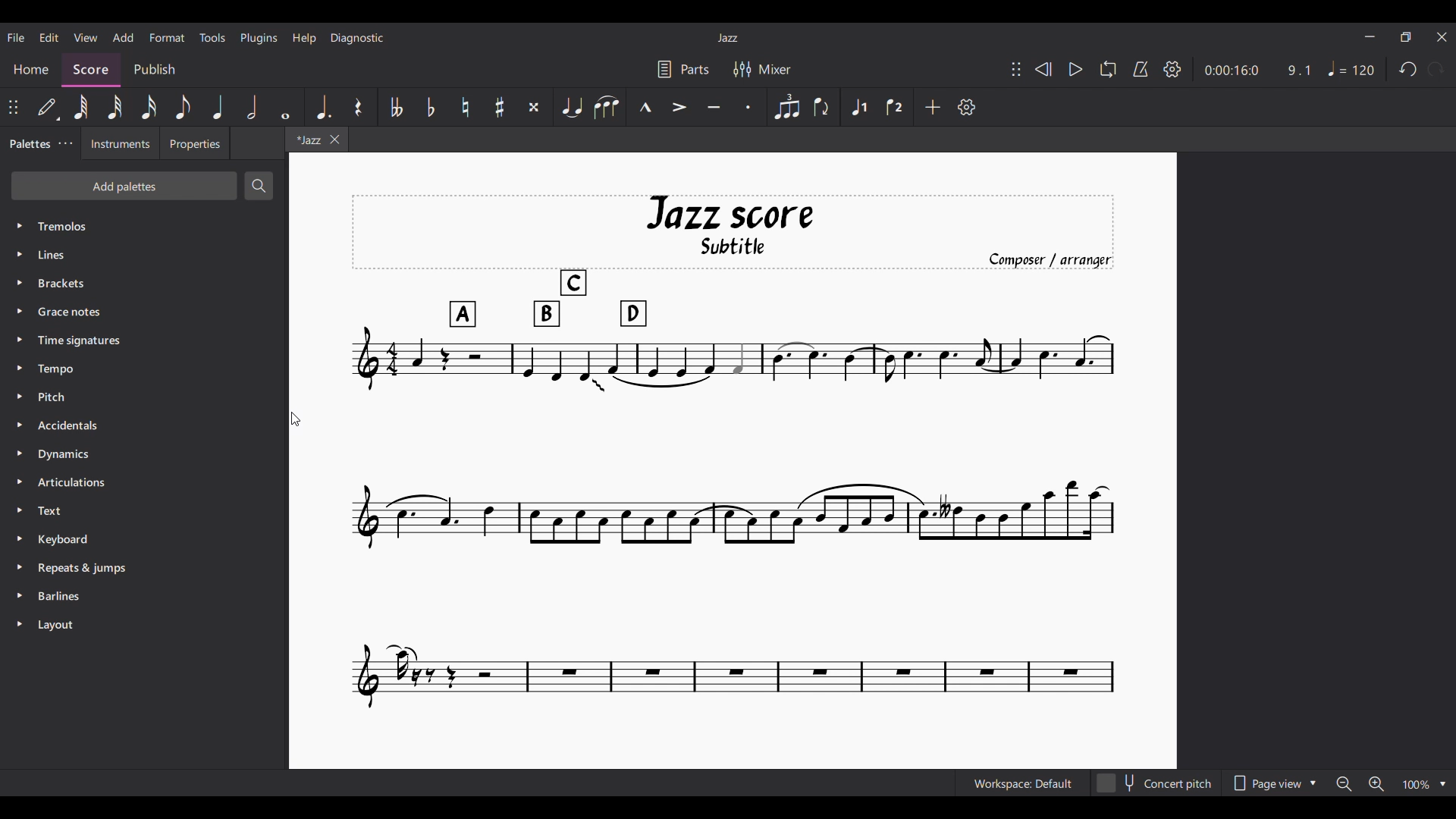 The width and height of the screenshot is (1456, 819). Describe the element at coordinates (884, 453) in the screenshot. I see `Current score` at that location.